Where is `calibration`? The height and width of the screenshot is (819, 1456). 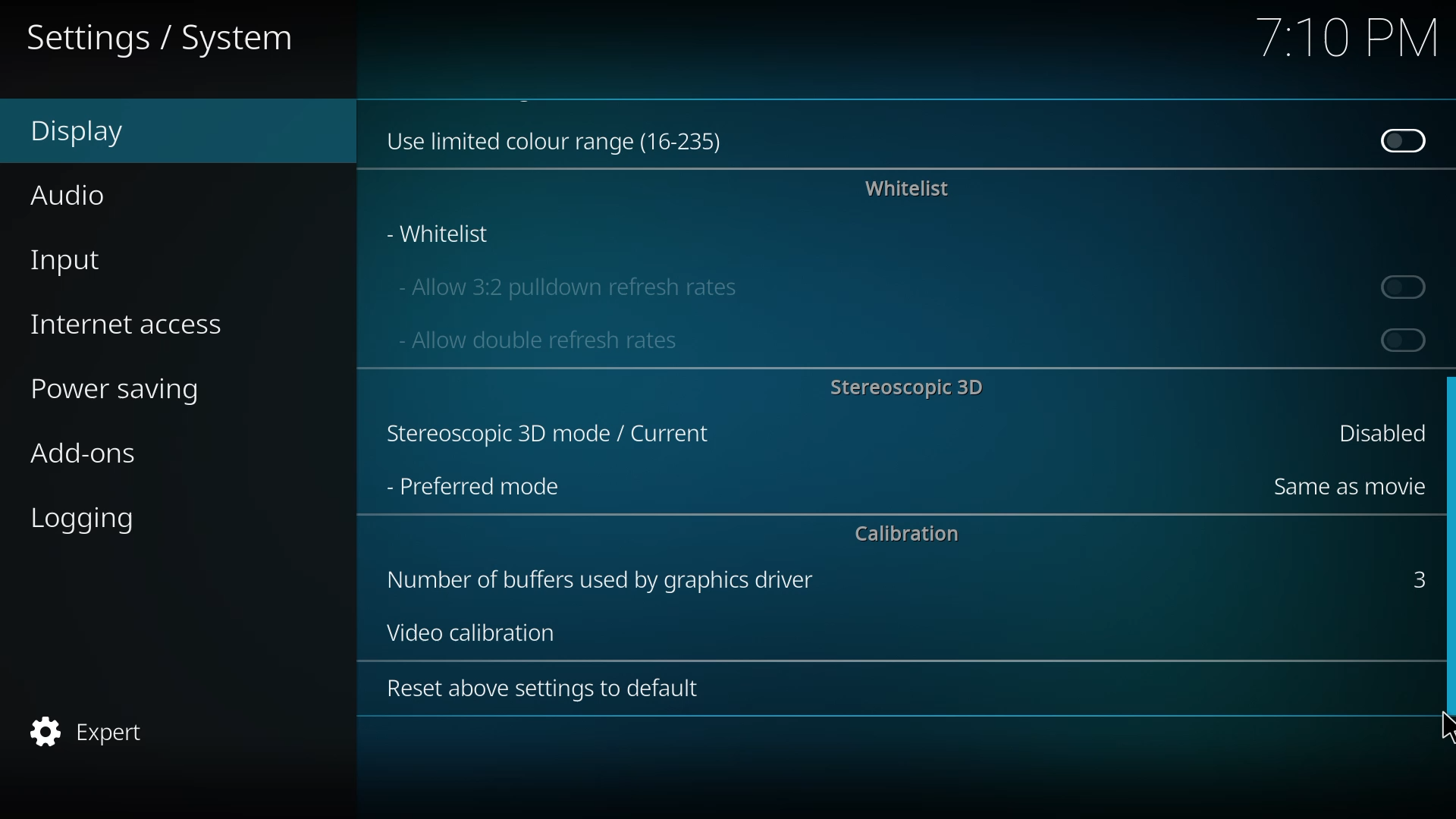 calibration is located at coordinates (906, 535).